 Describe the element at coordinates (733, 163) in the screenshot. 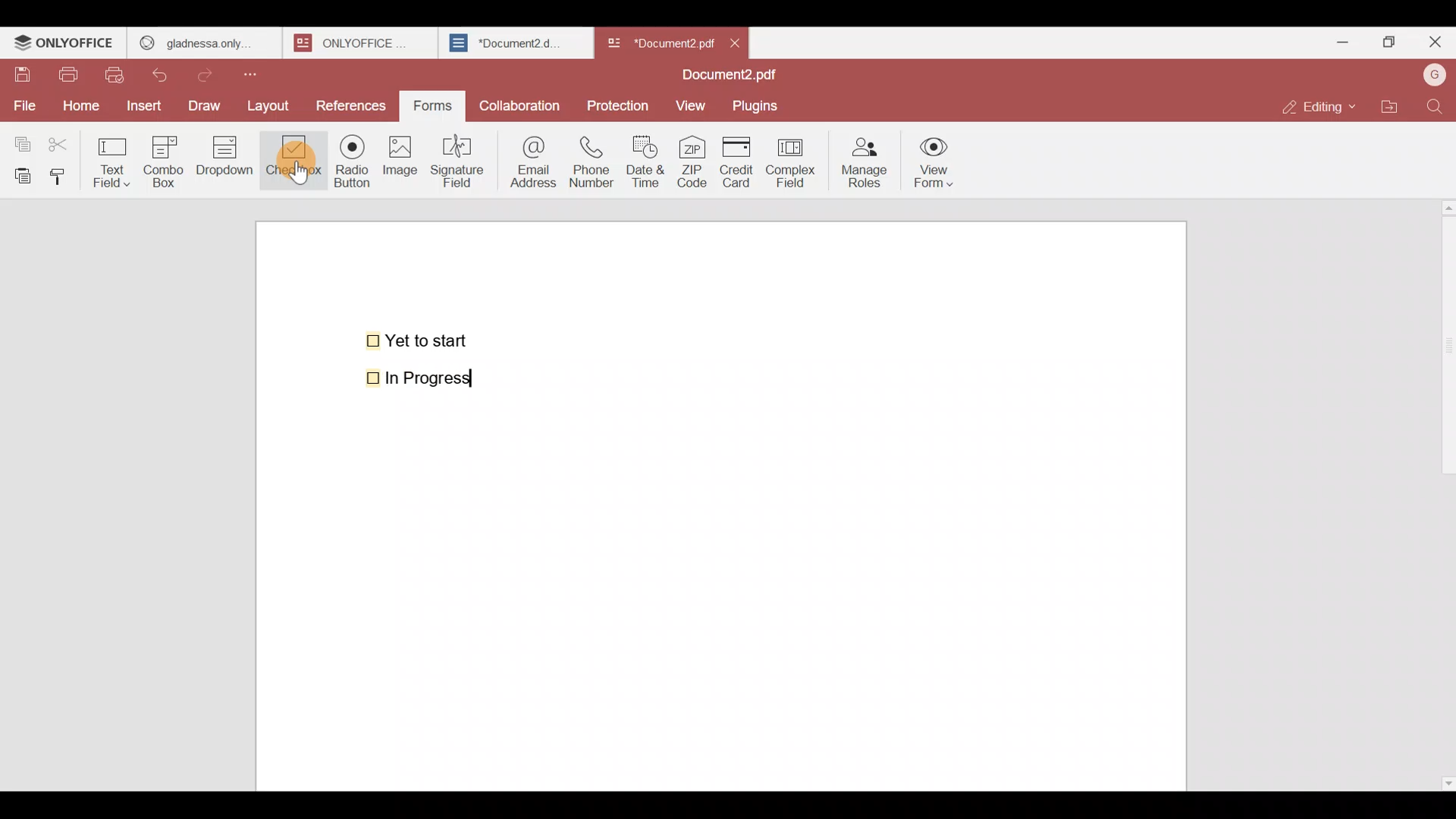

I see `Credit card` at that location.